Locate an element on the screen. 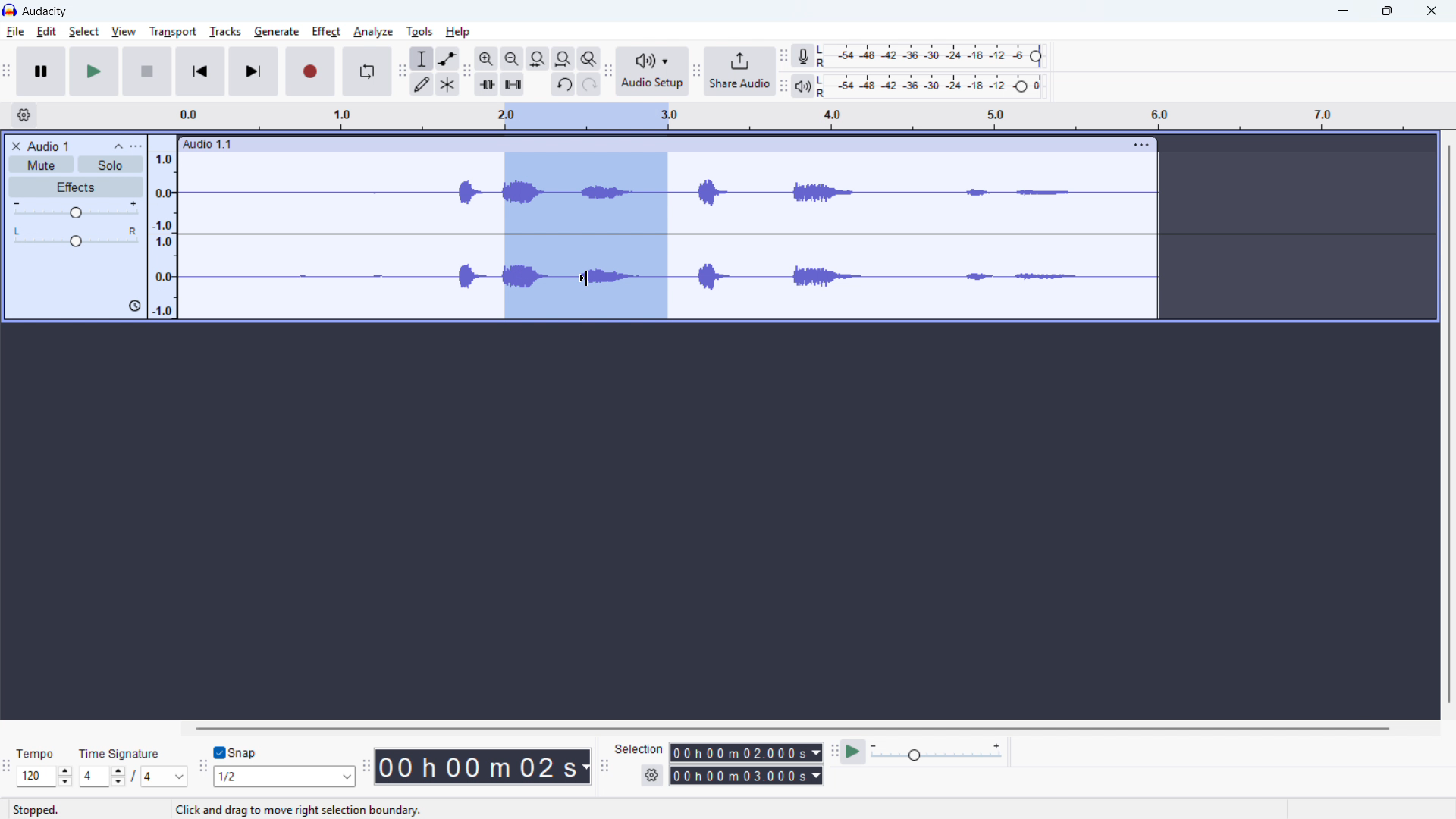 The height and width of the screenshot is (819, 1456). recording metre toolbar is located at coordinates (785, 55).